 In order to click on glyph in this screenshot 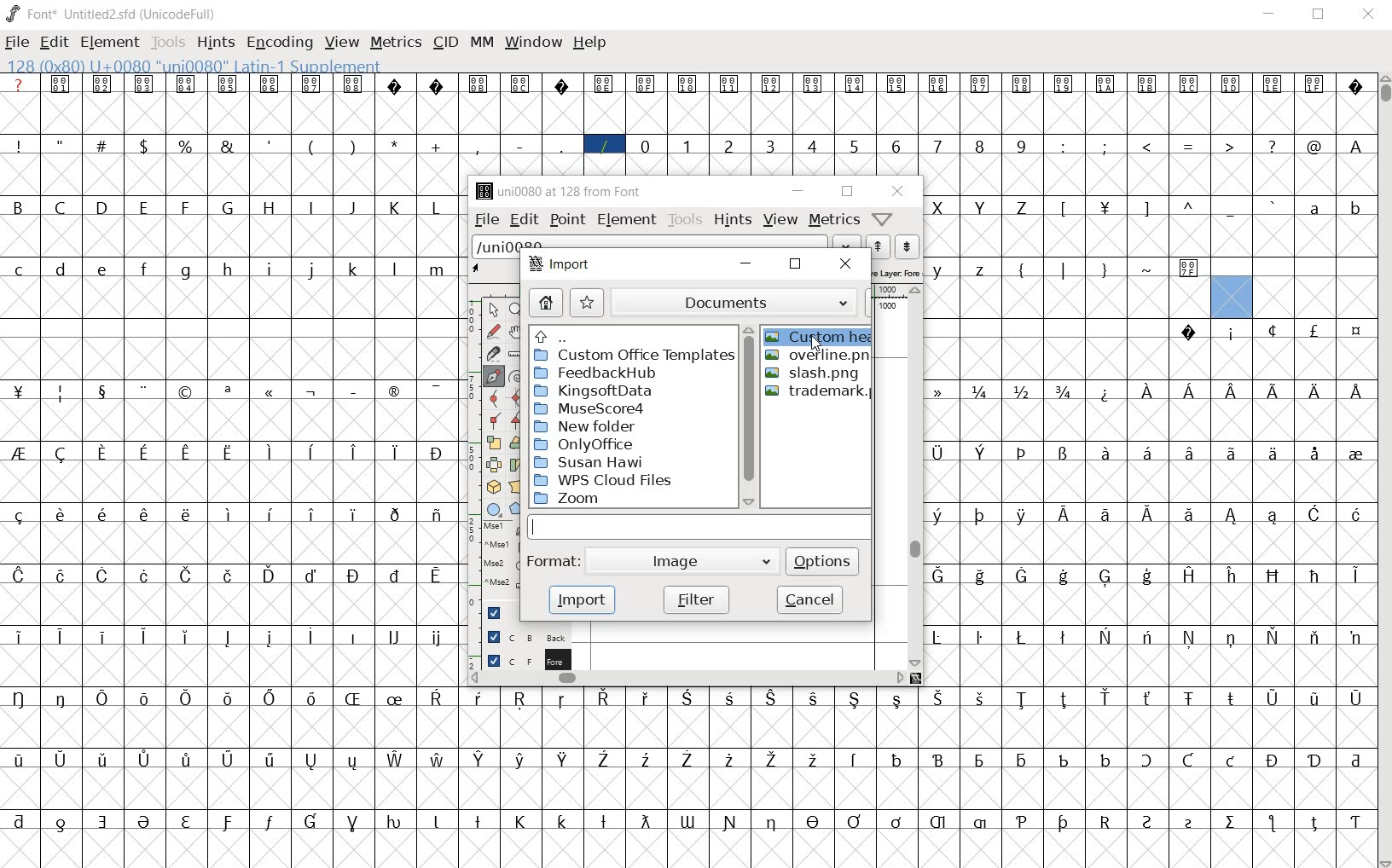, I will do `click(393, 269)`.